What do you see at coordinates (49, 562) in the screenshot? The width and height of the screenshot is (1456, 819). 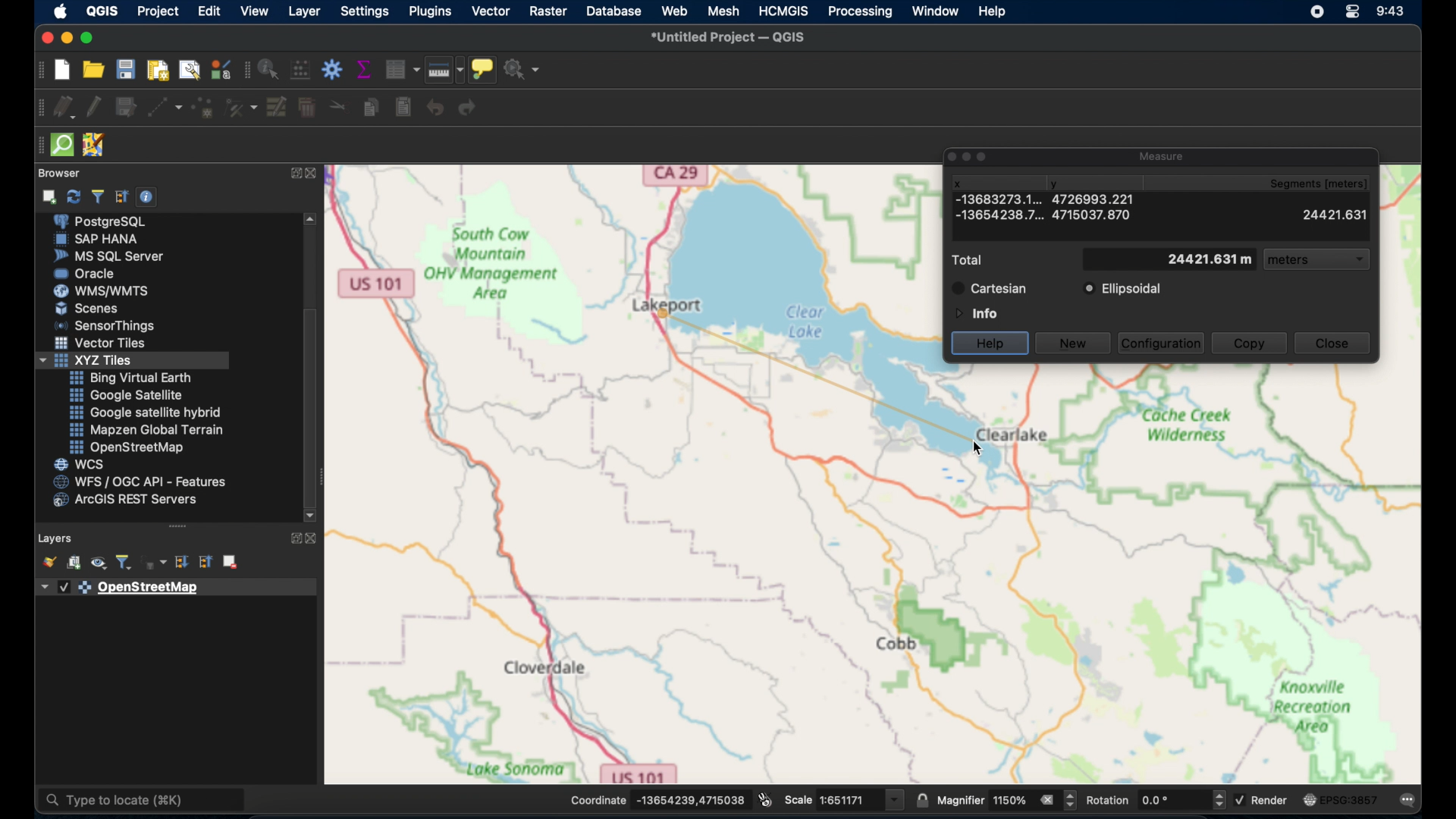 I see `open layer styling panel` at bounding box center [49, 562].